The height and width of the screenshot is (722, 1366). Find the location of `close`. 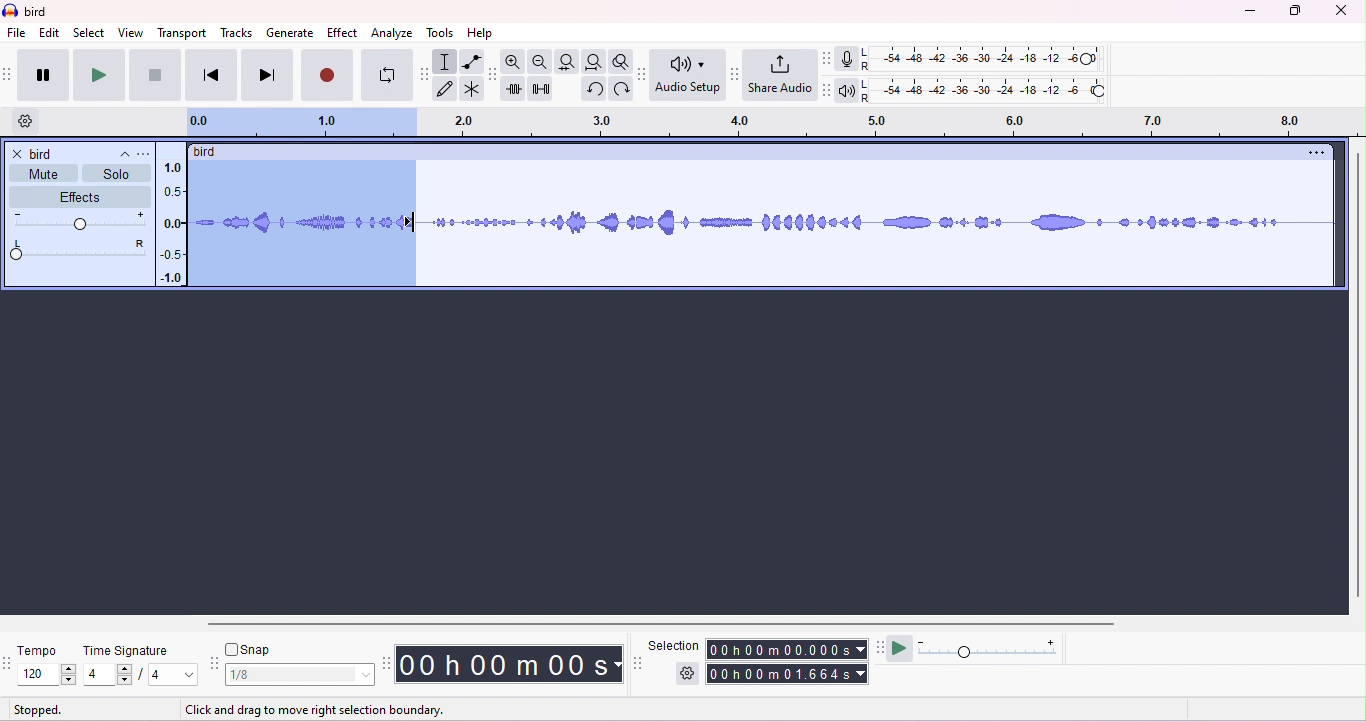

close is located at coordinates (17, 154).